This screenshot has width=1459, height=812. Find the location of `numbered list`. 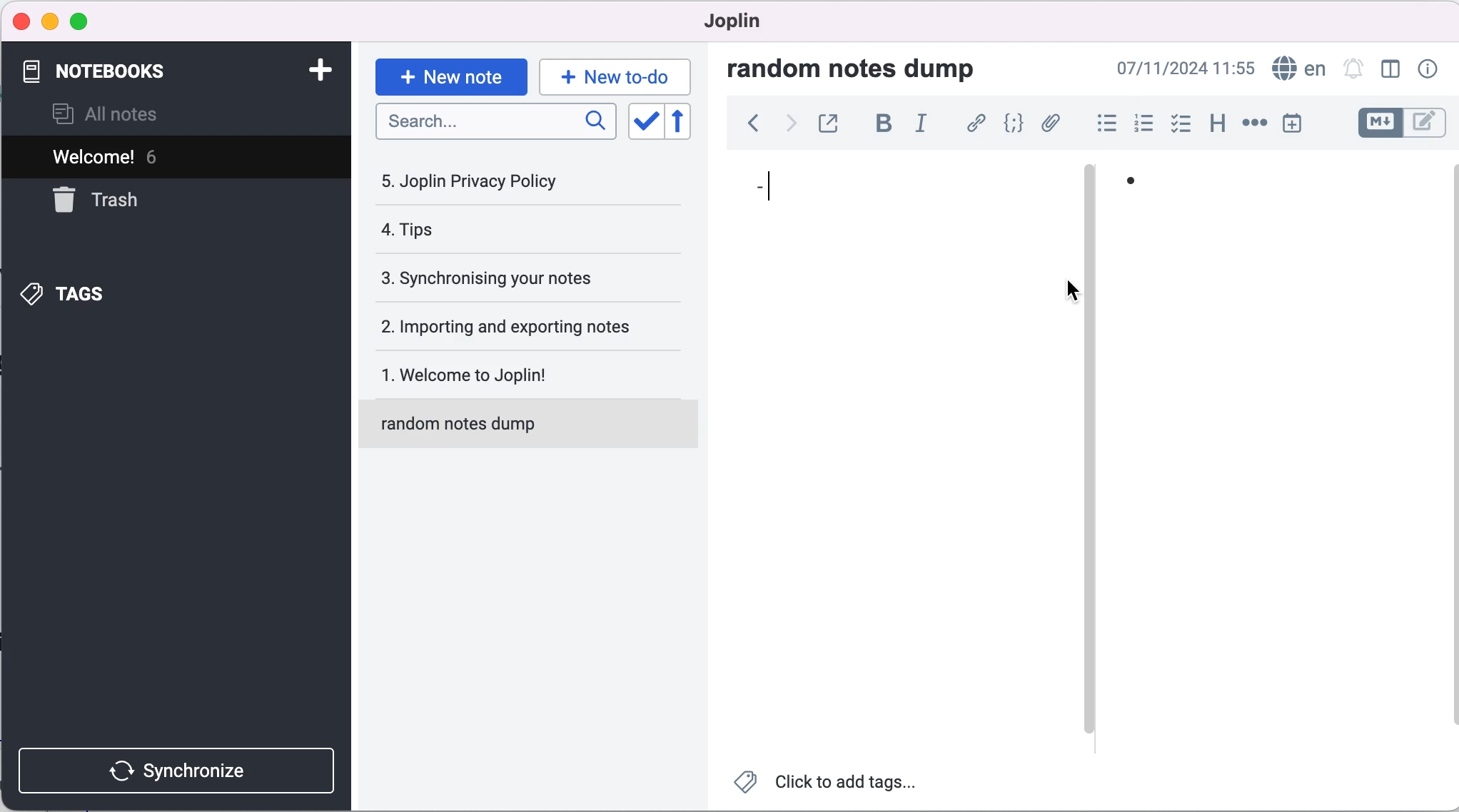

numbered list is located at coordinates (1141, 123).